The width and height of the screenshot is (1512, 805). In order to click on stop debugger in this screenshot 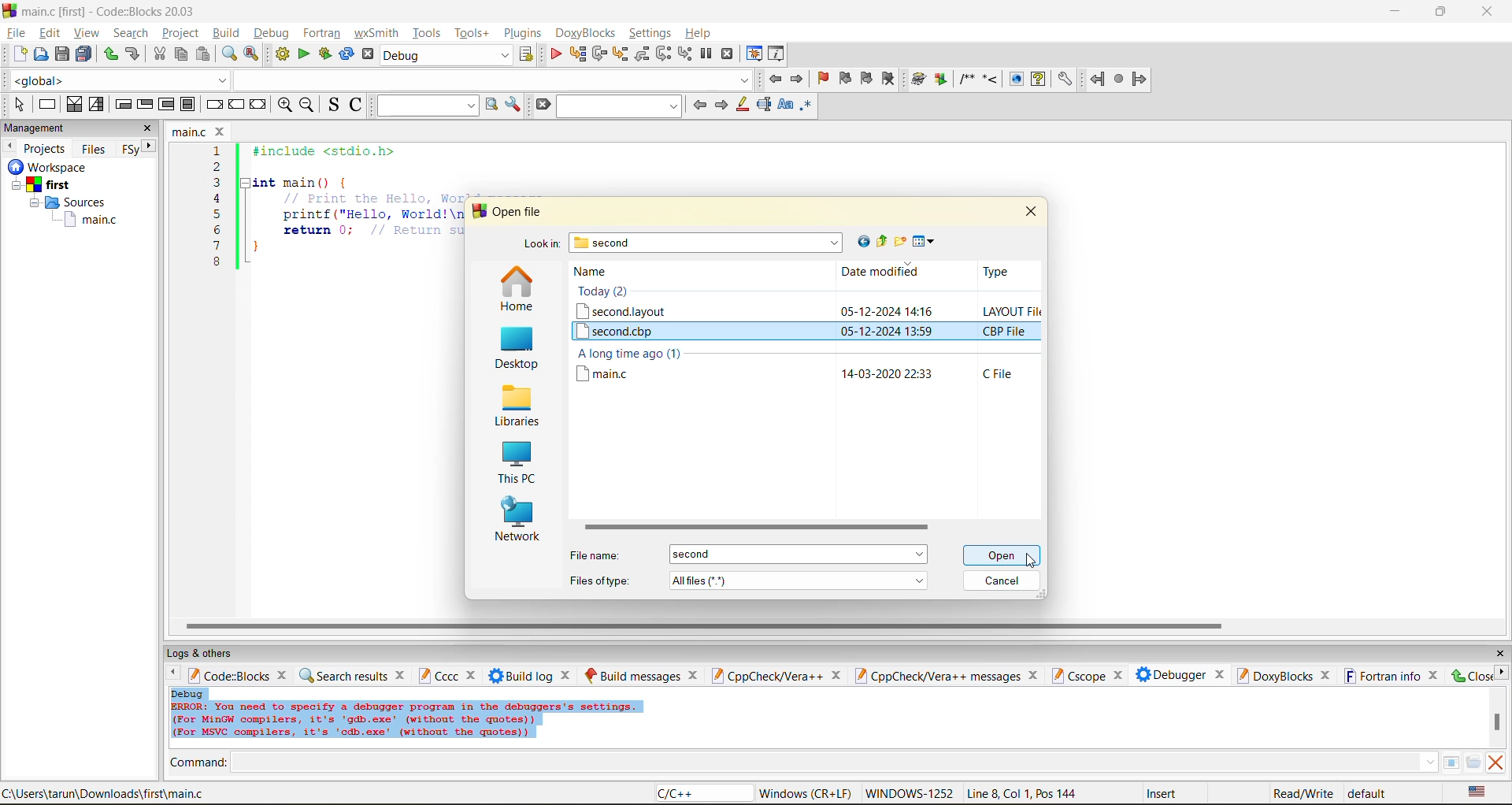, I will do `click(728, 54)`.